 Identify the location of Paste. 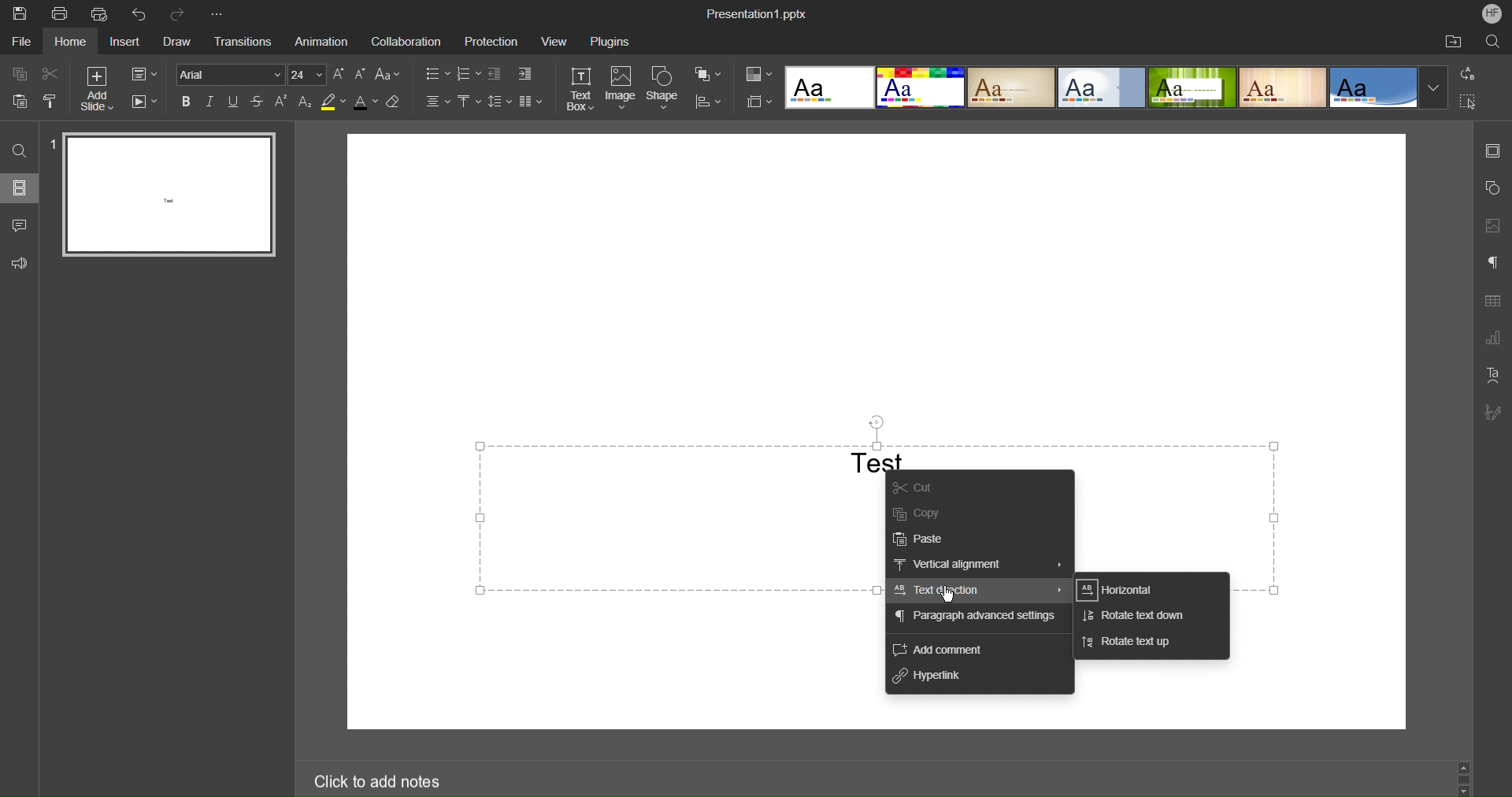
(927, 536).